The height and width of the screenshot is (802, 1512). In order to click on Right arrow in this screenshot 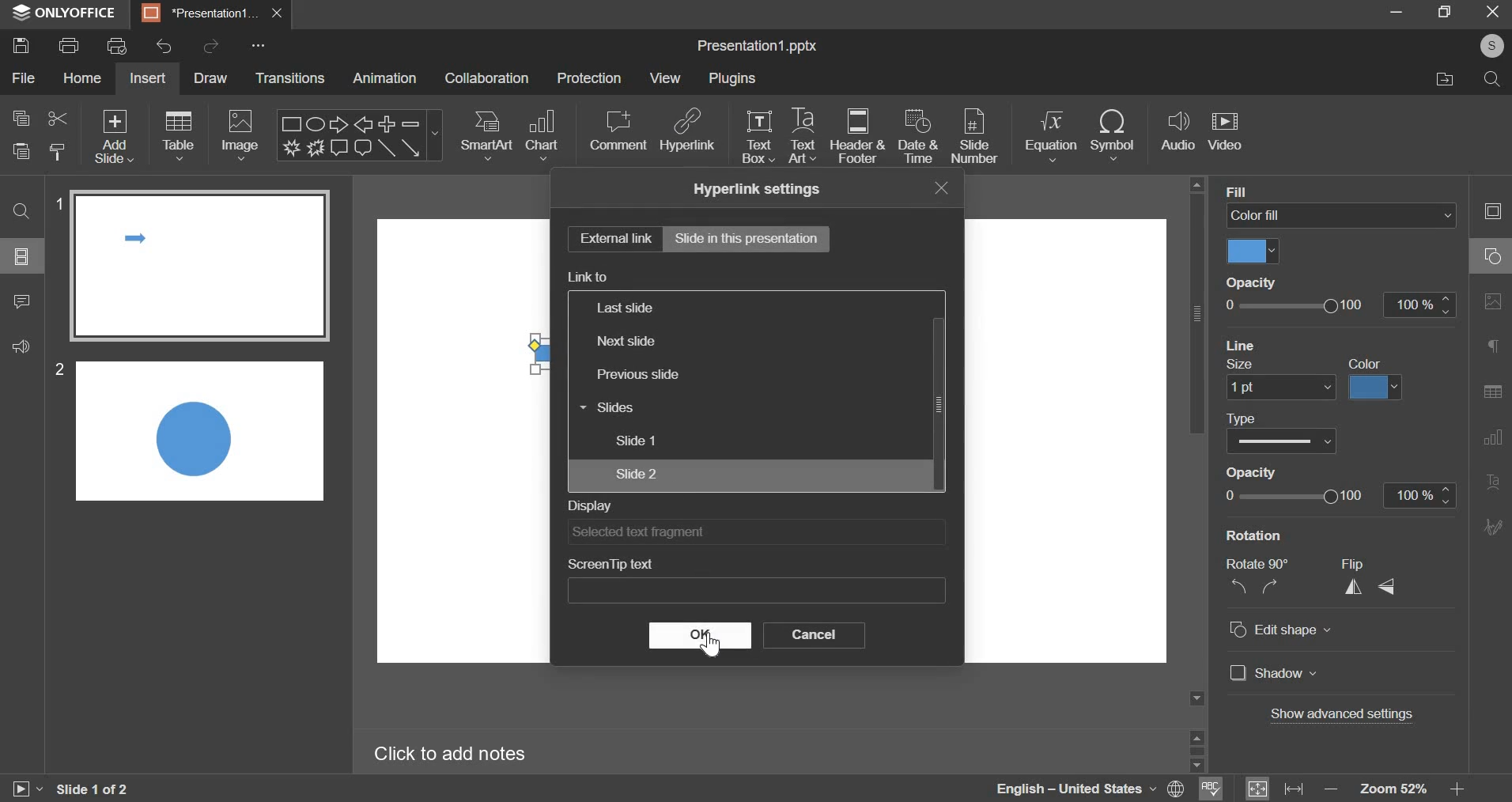, I will do `click(339, 124)`.